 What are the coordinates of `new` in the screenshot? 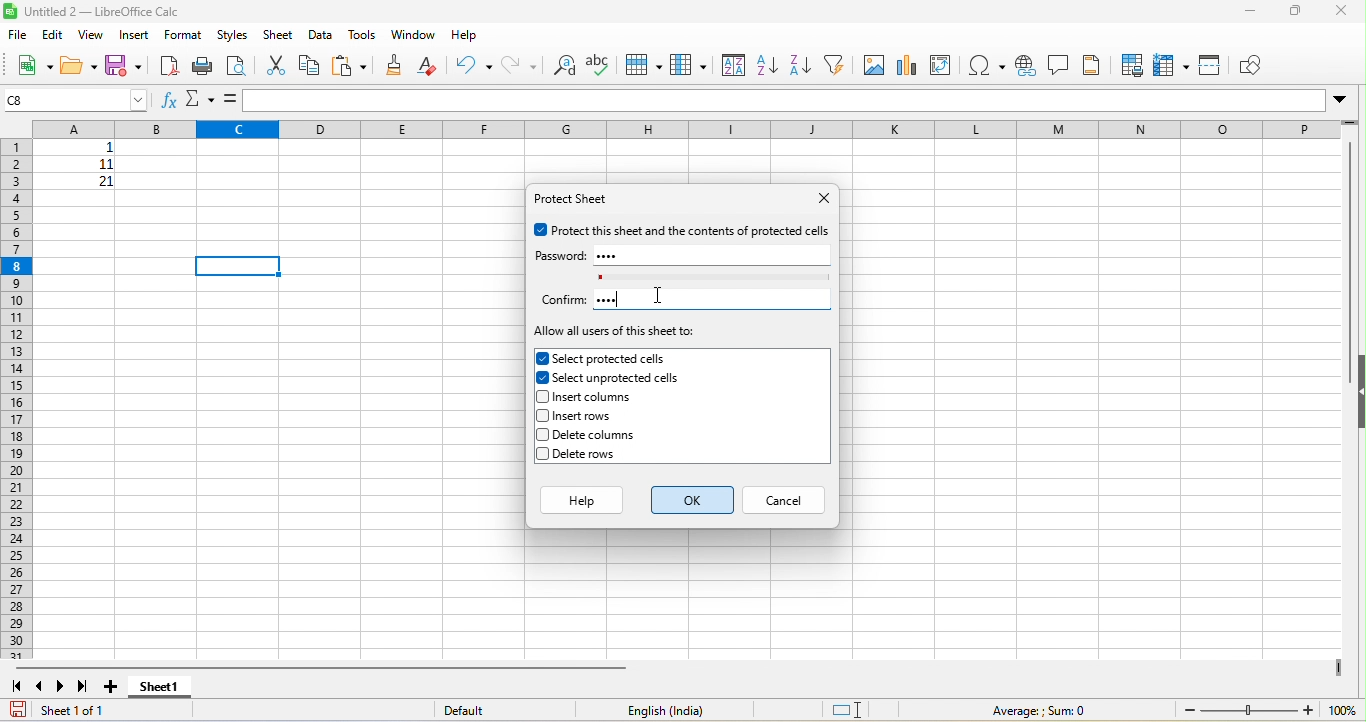 It's located at (33, 68).